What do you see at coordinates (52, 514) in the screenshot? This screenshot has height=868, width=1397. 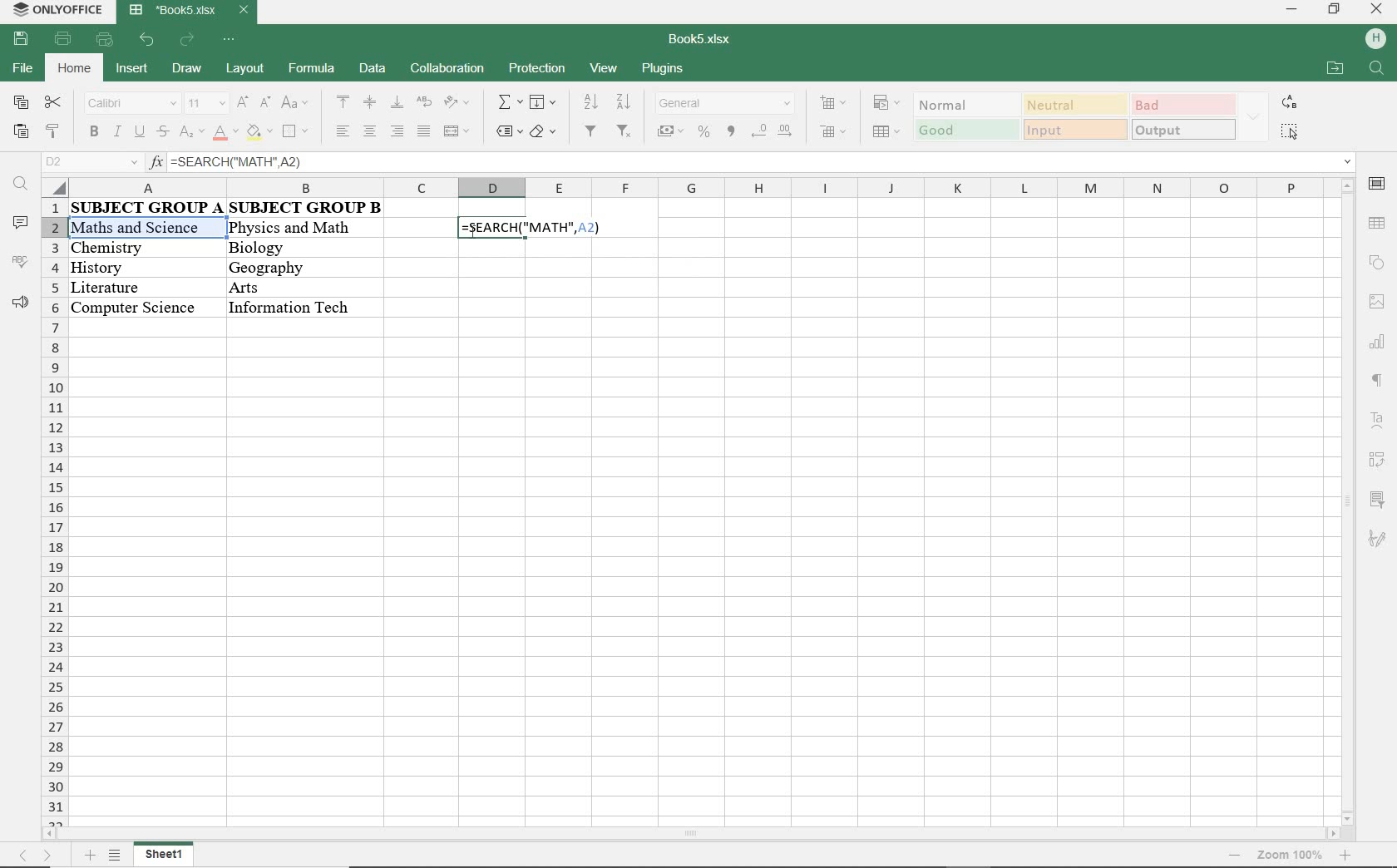 I see `rows` at bounding box center [52, 514].